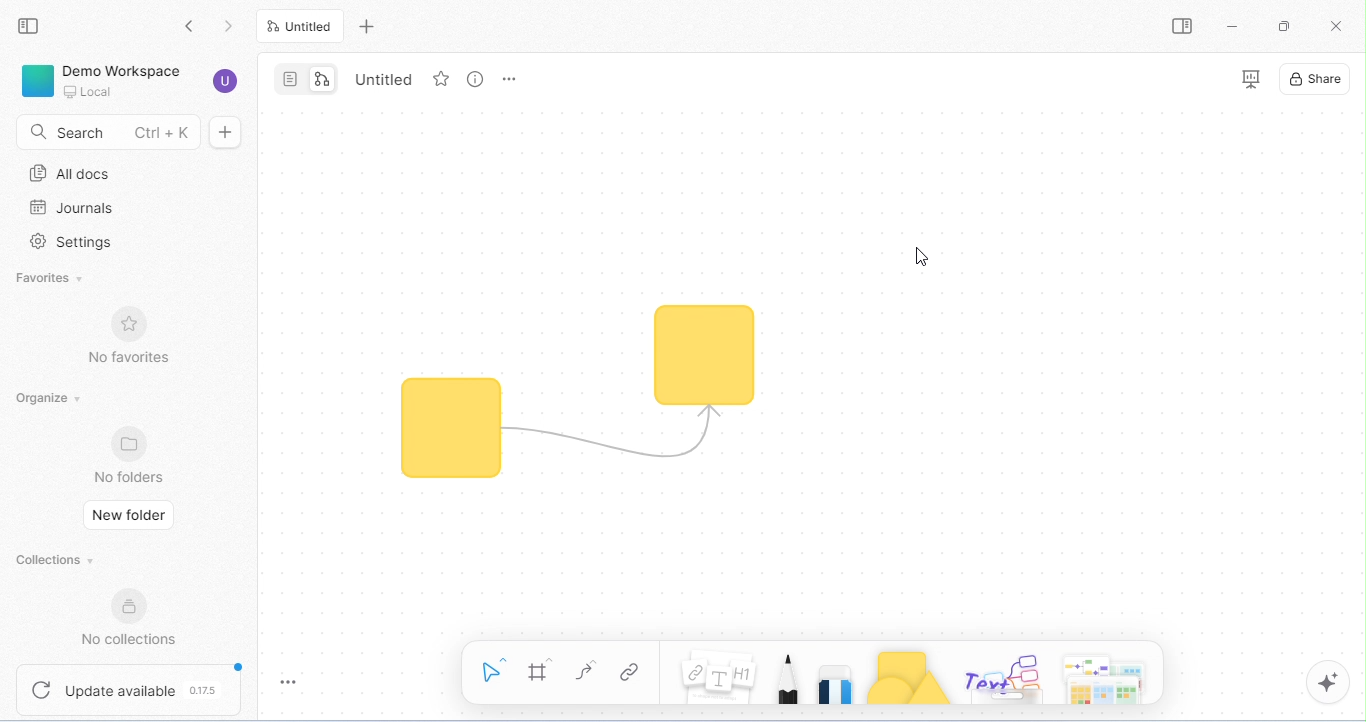 This screenshot has height=722, width=1366. What do you see at coordinates (232, 28) in the screenshot?
I see `go previous` at bounding box center [232, 28].